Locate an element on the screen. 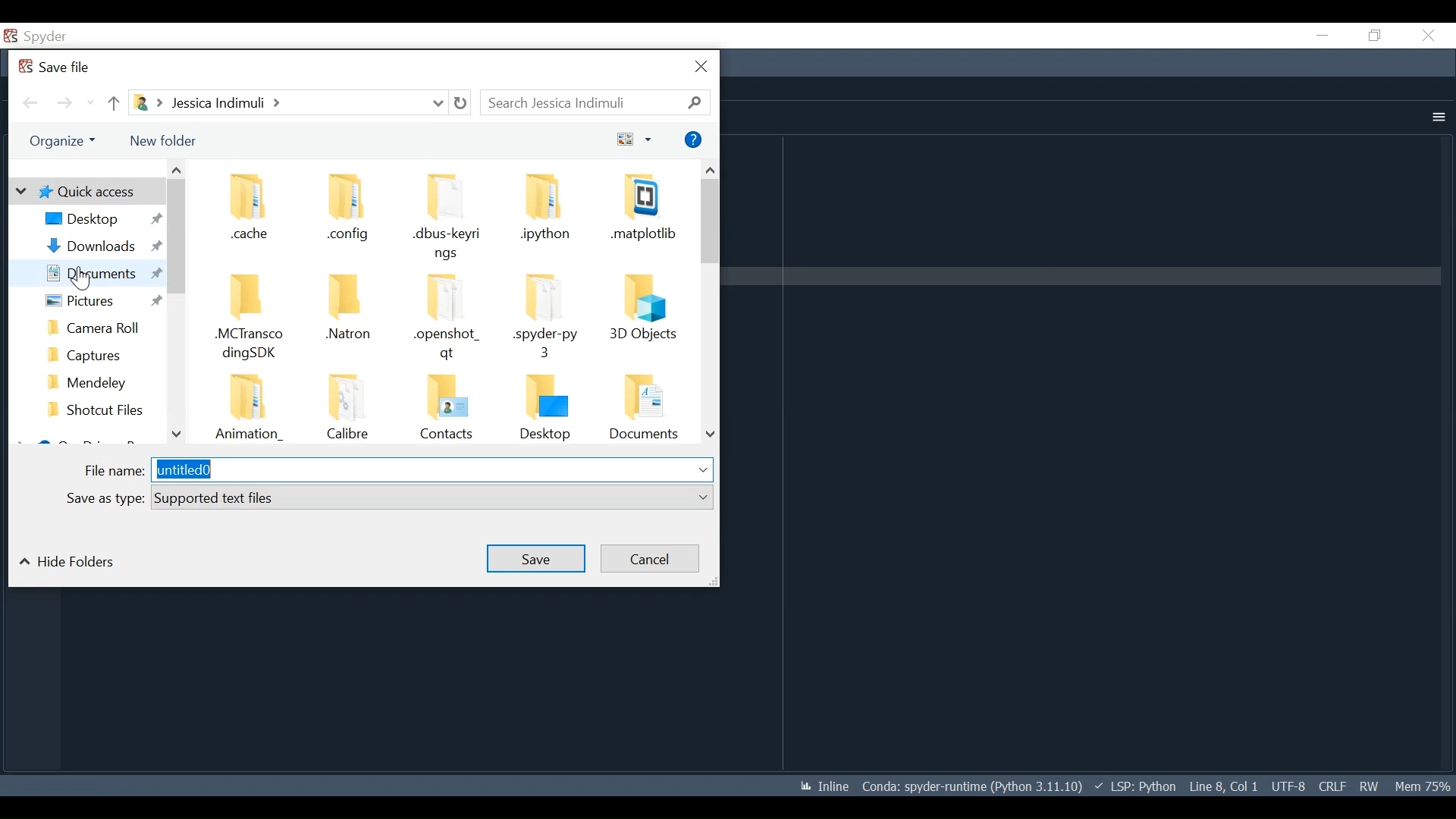 The height and width of the screenshot is (819, 1456). Folder is located at coordinates (547, 408).